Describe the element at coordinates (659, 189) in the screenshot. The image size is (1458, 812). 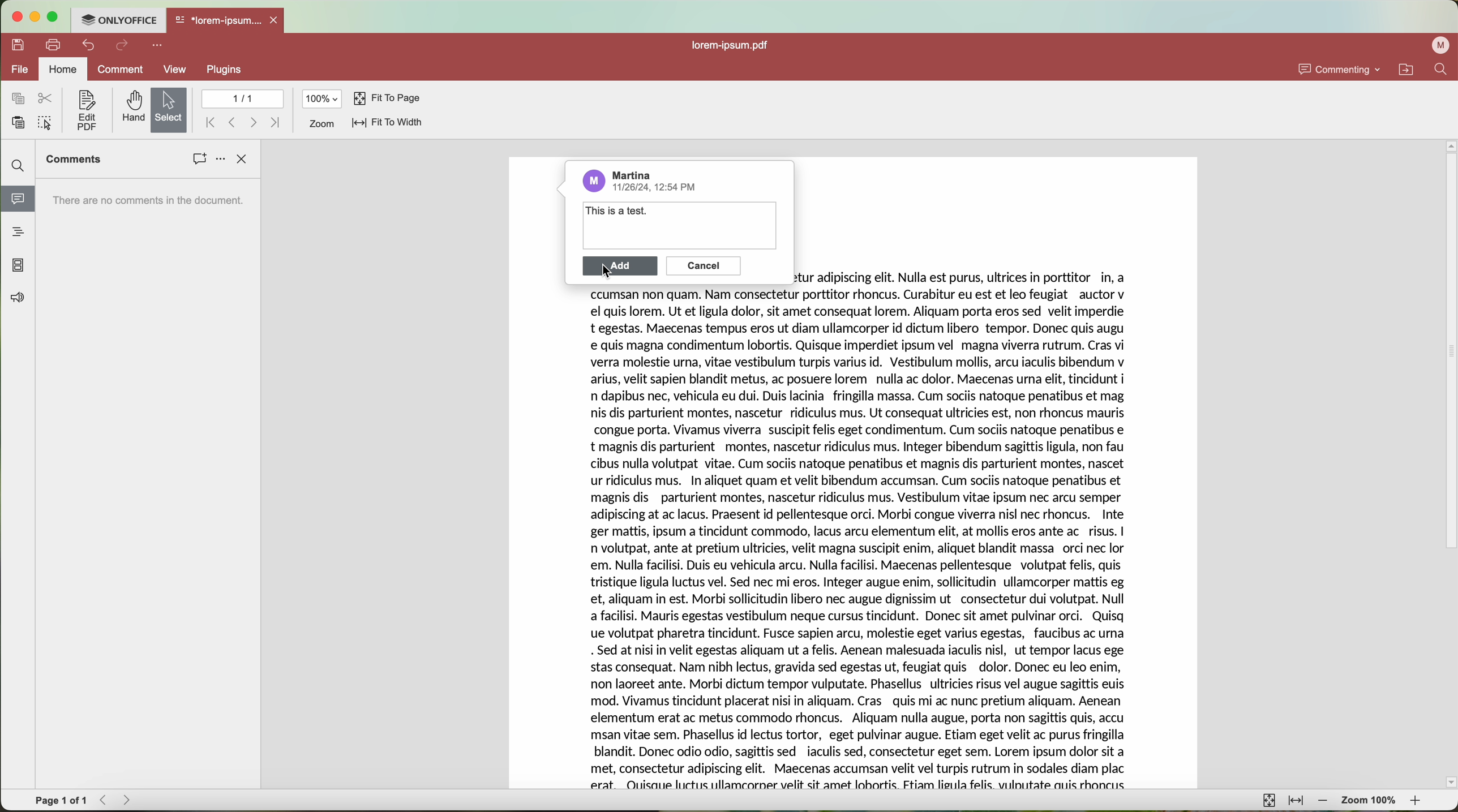
I see `date and hour` at that location.